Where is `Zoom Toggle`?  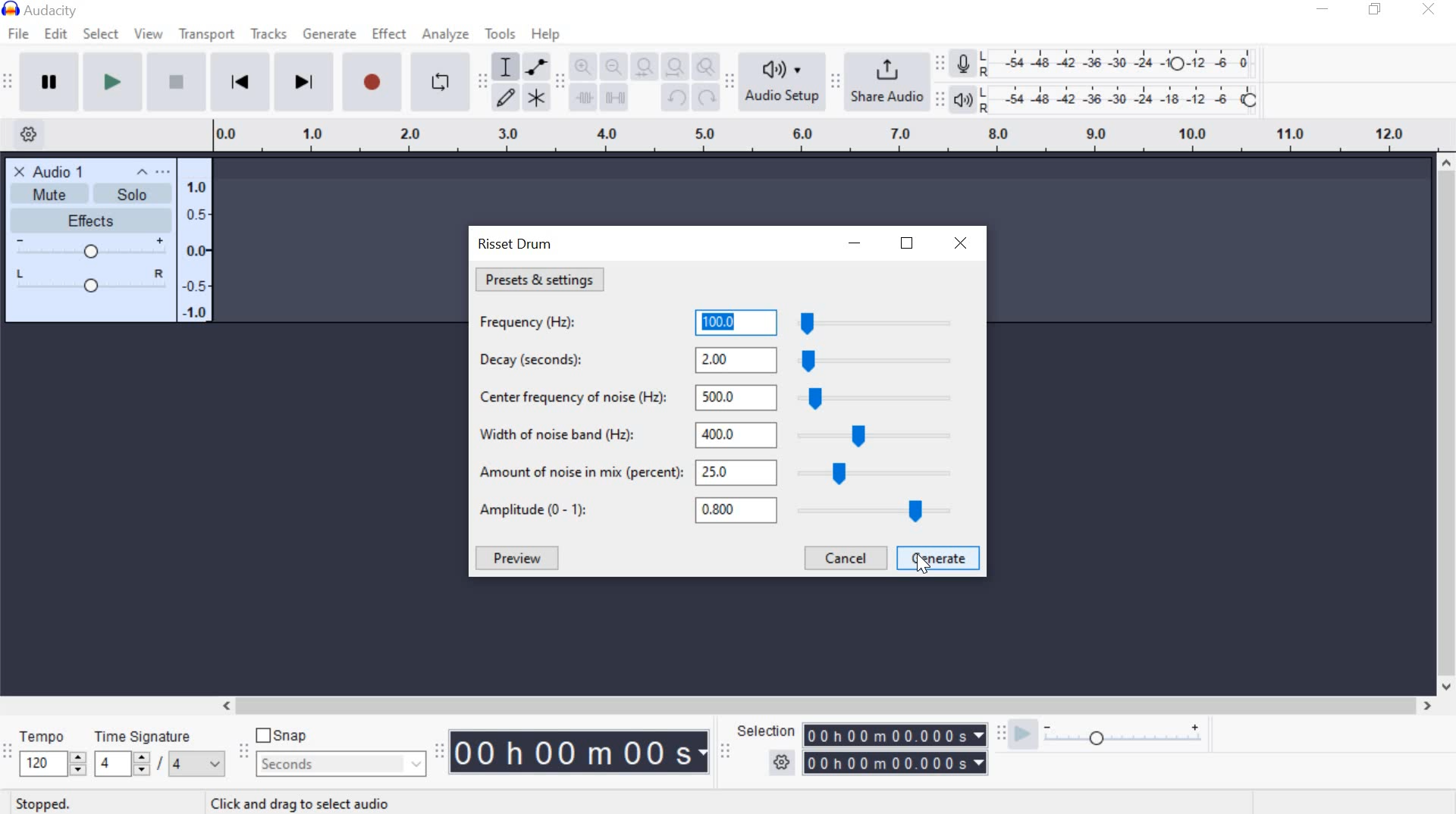
Zoom Toggle is located at coordinates (704, 66).